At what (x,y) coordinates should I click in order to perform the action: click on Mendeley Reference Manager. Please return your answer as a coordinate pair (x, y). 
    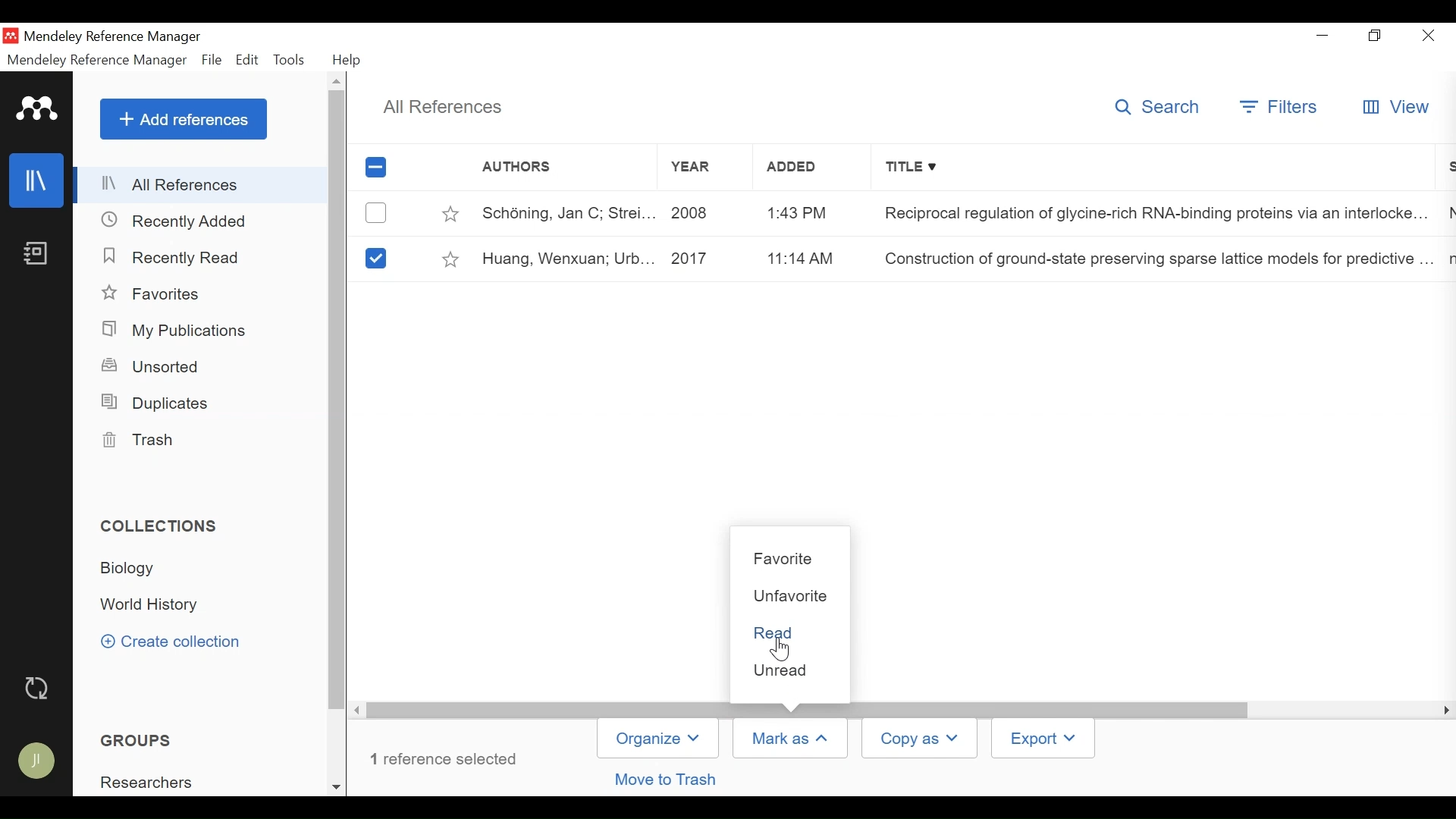
    Looking at the image, I should click on (115, 37).